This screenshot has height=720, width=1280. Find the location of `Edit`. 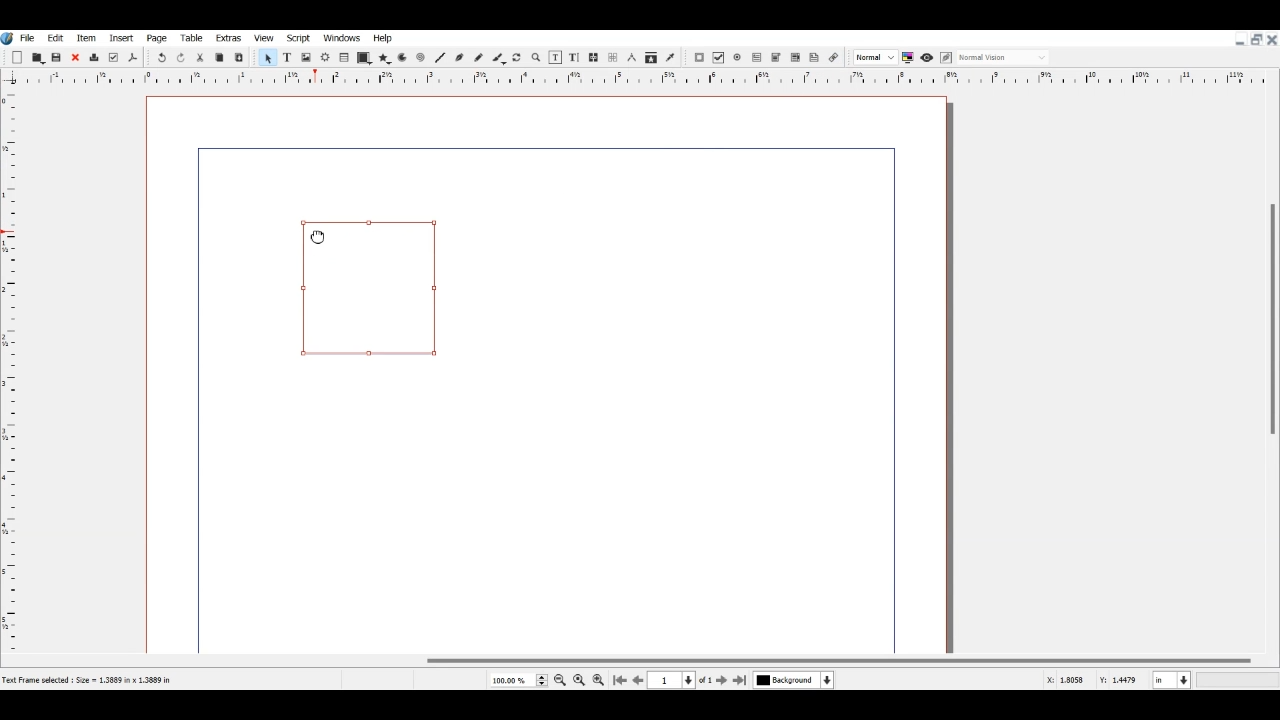

Edit is located at coordinates (54, 37).